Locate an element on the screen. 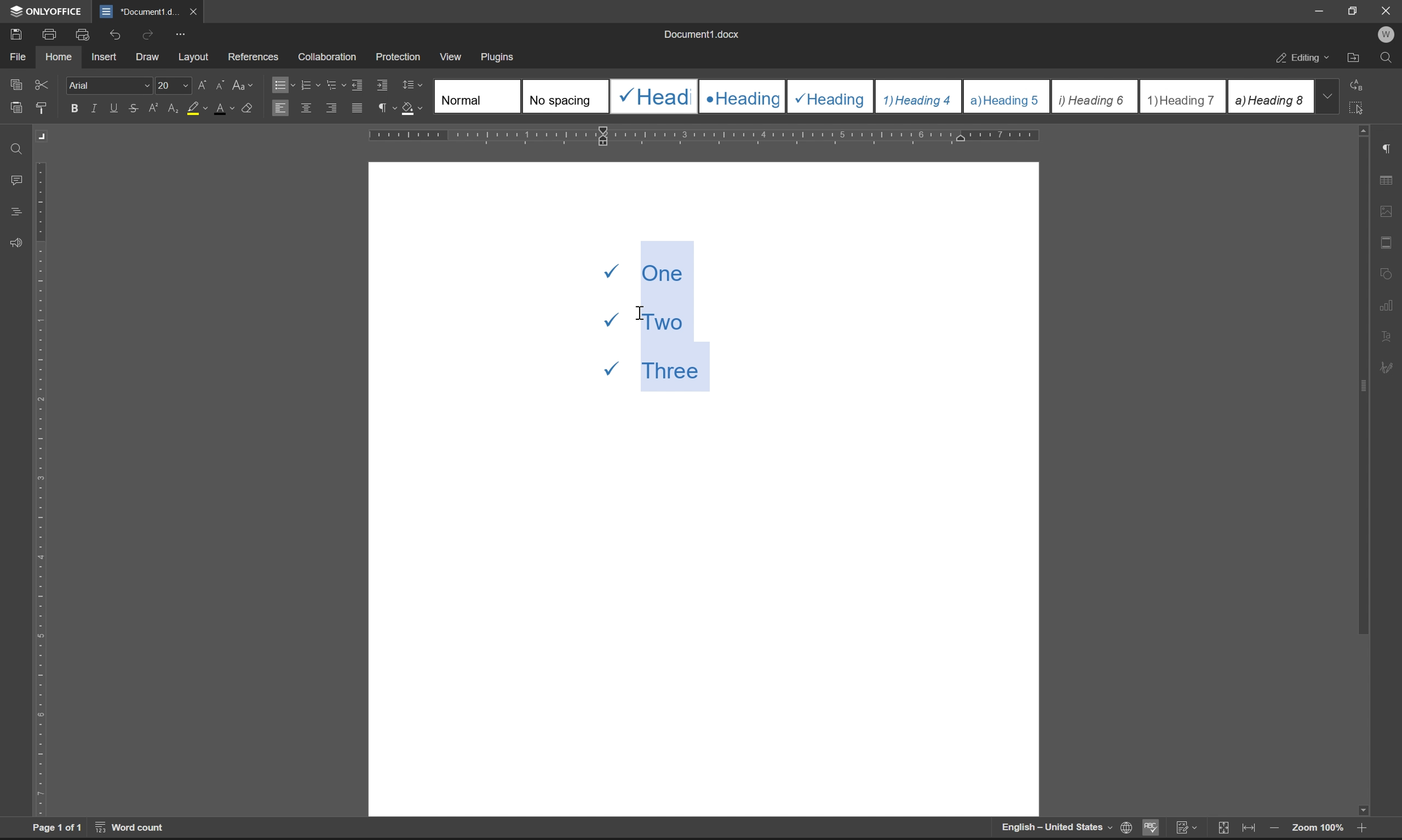  minimize is located at coordinates (1320, 11).